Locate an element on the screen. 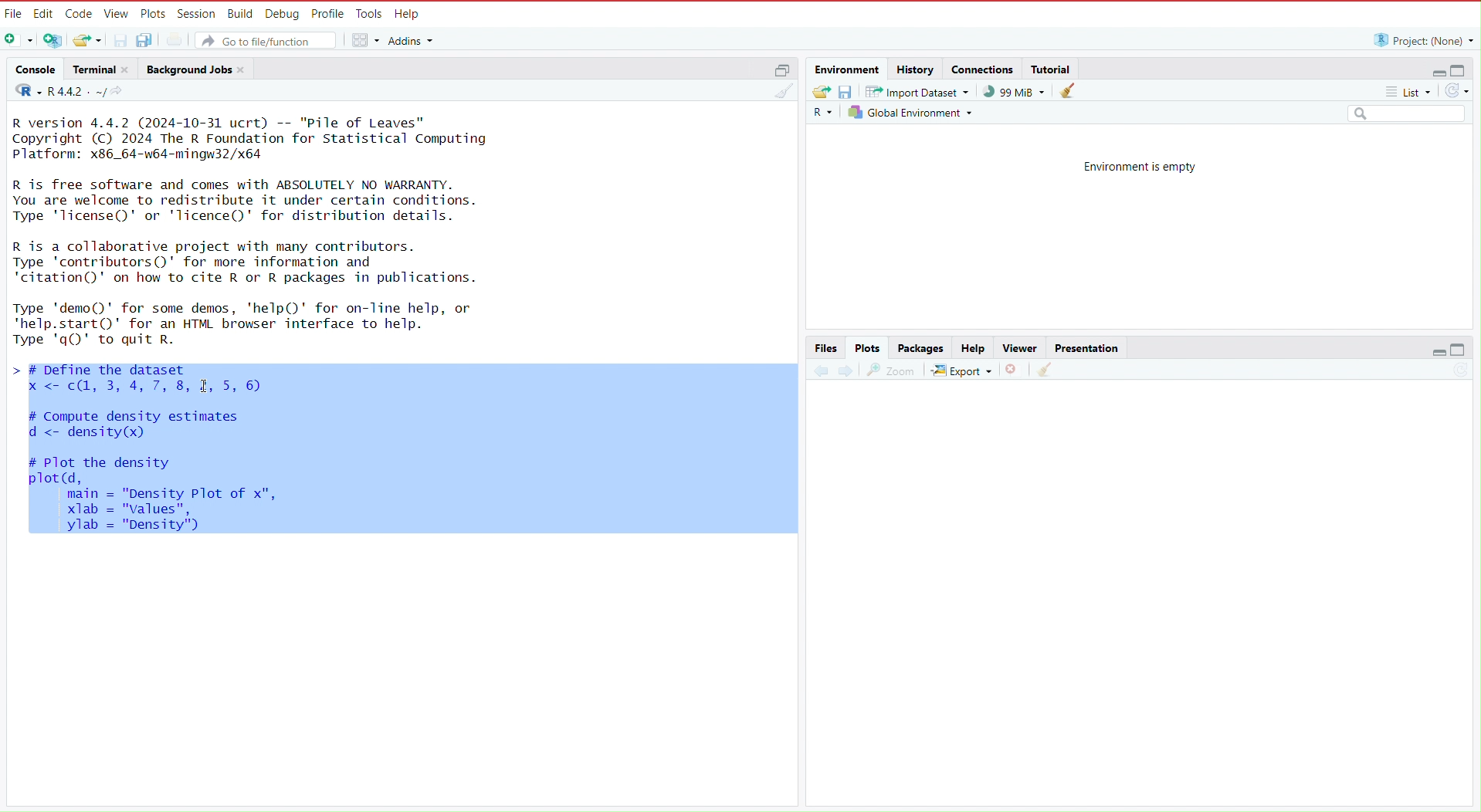 This screenshot has height=812, width=1481. previous plot is located at coordinates (817, 370).